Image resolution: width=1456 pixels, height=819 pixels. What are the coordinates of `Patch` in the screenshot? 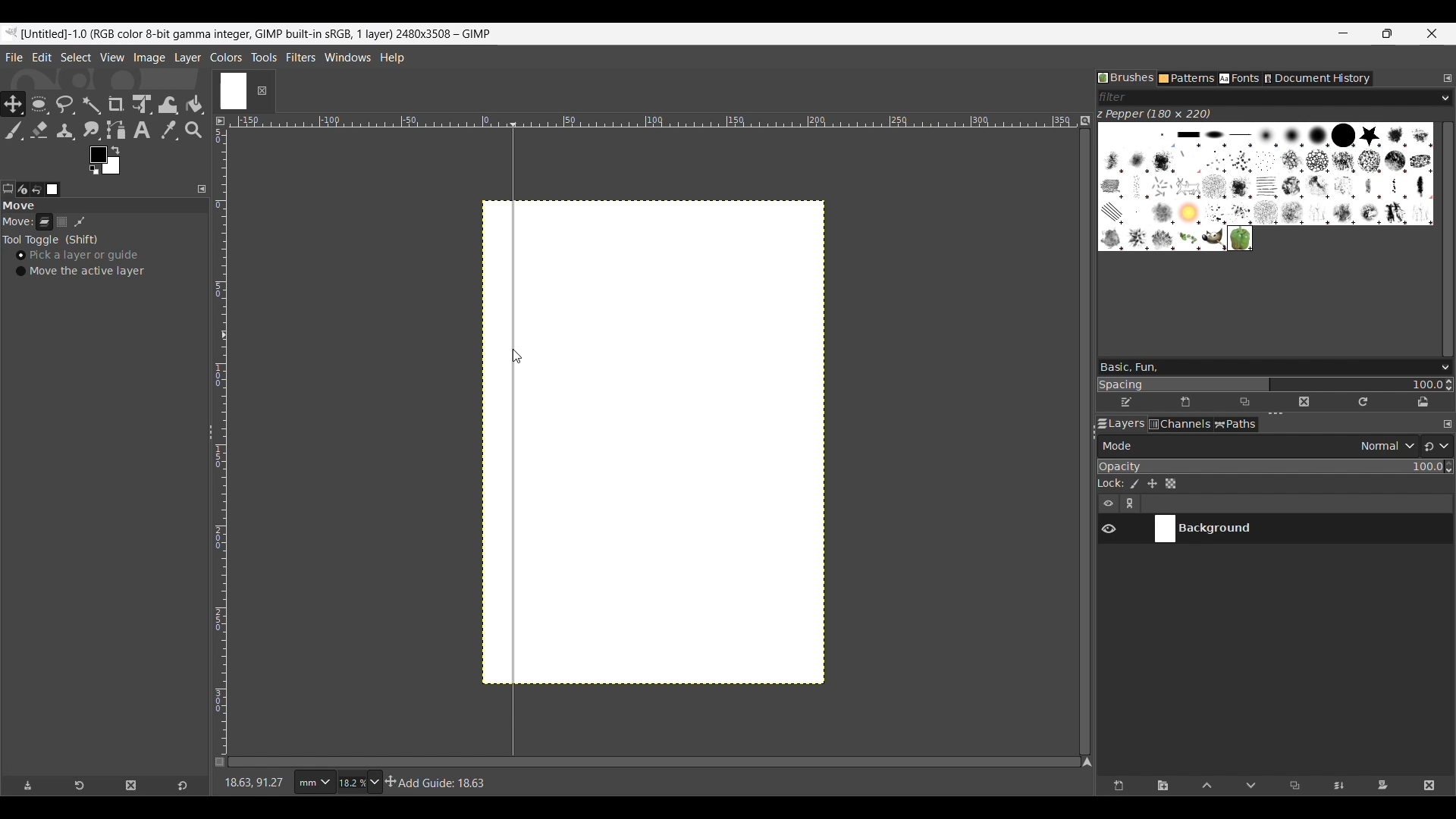 It's located at (85, 222).